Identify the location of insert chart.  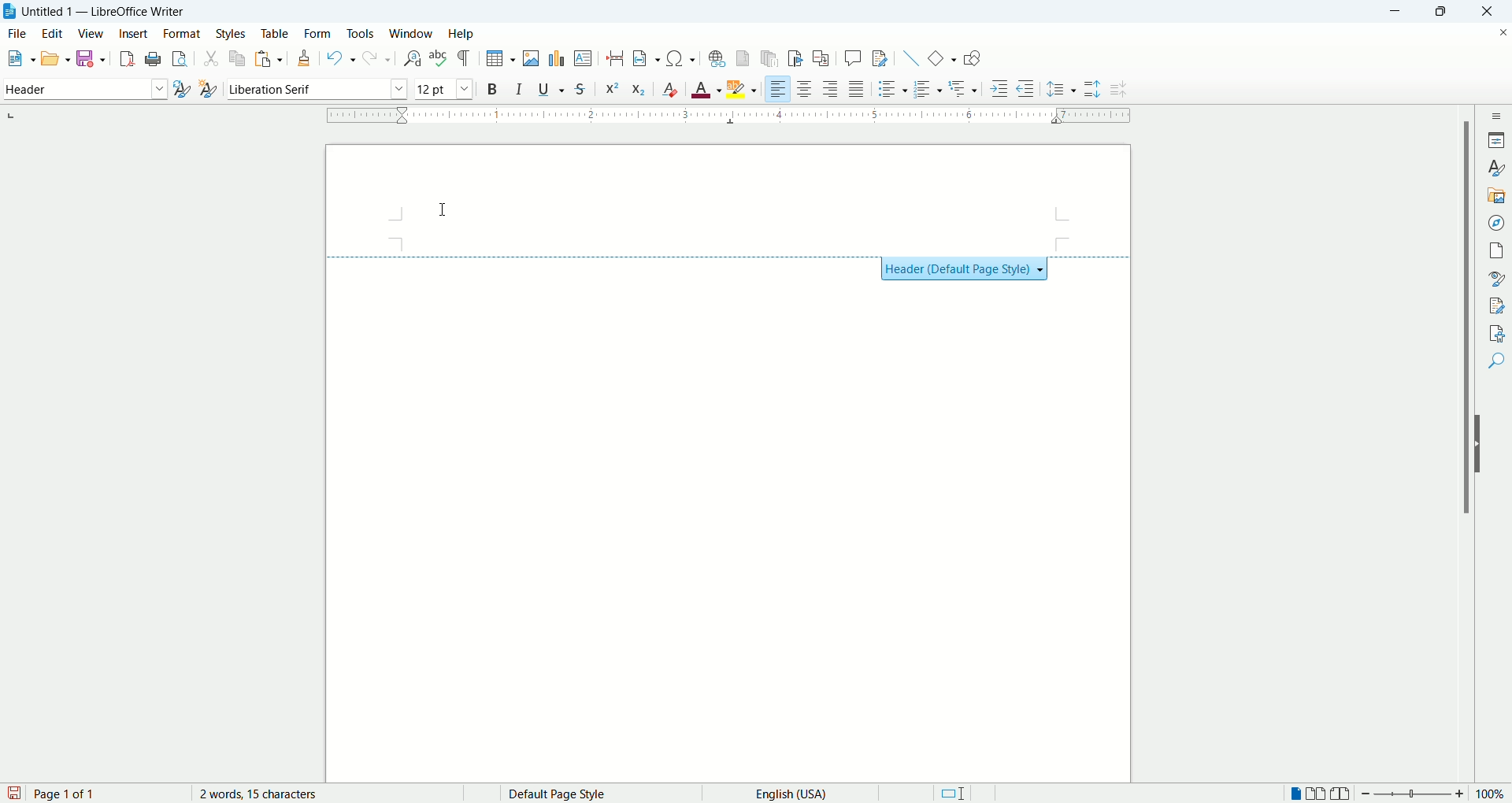
(558, 56).